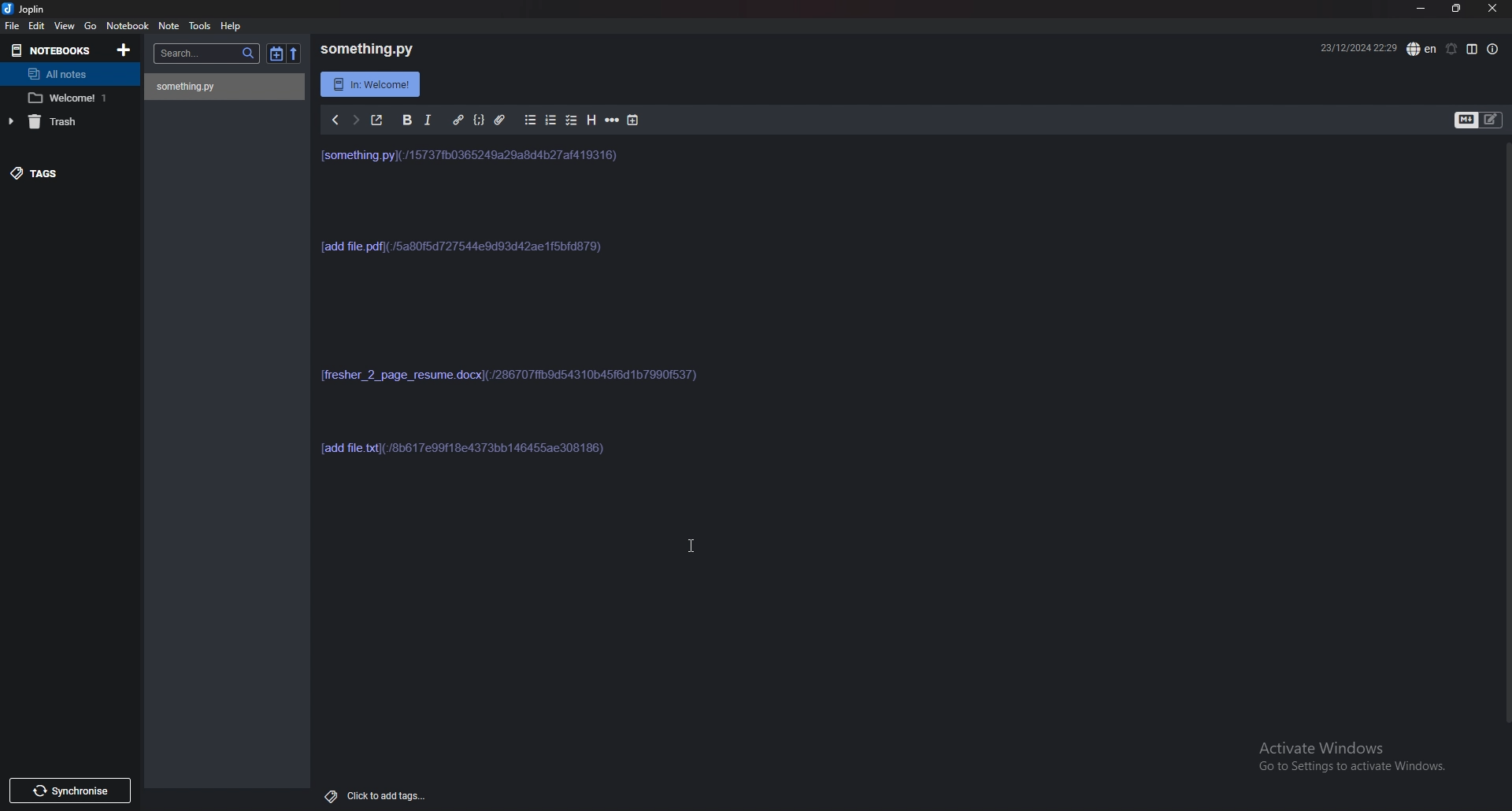 This screenshot has height=811, width=1512. I want to click on File, so click(13, 26).